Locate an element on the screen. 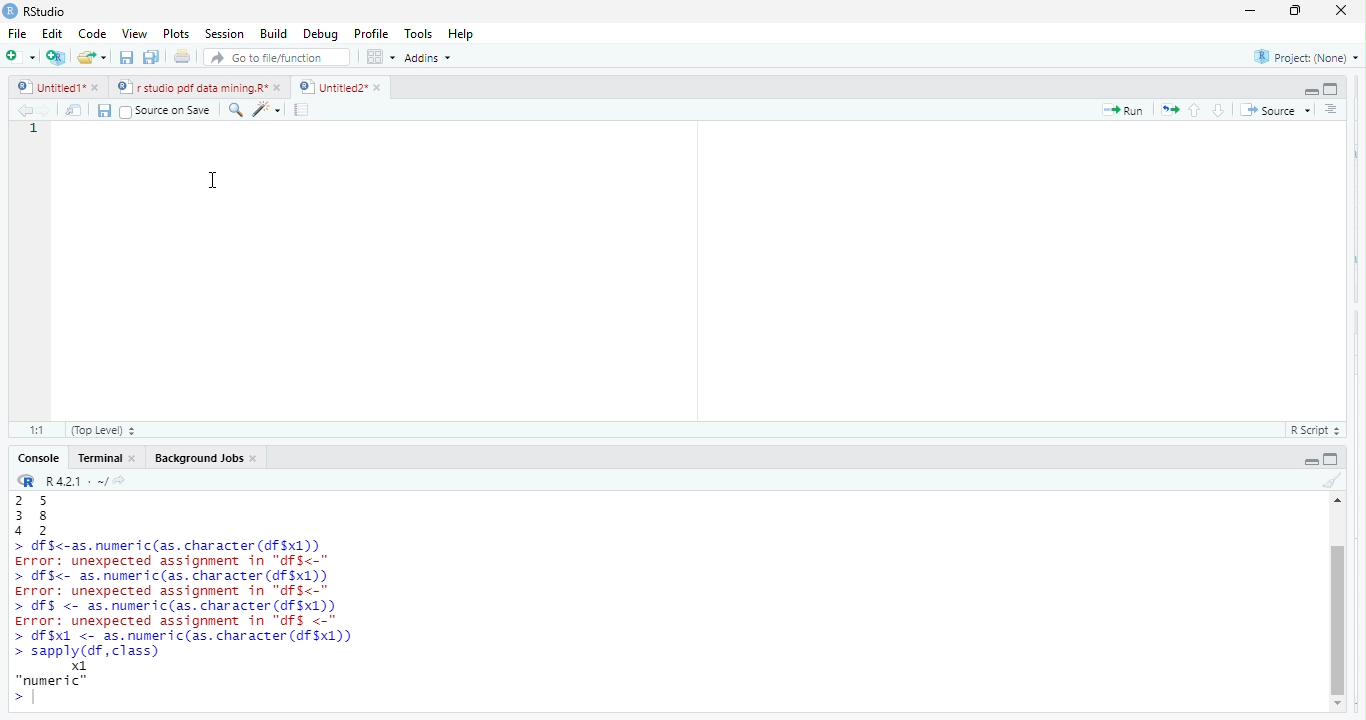 The height and width of the screenshot is (720, 1366). help is located at coordinates (466, 32).